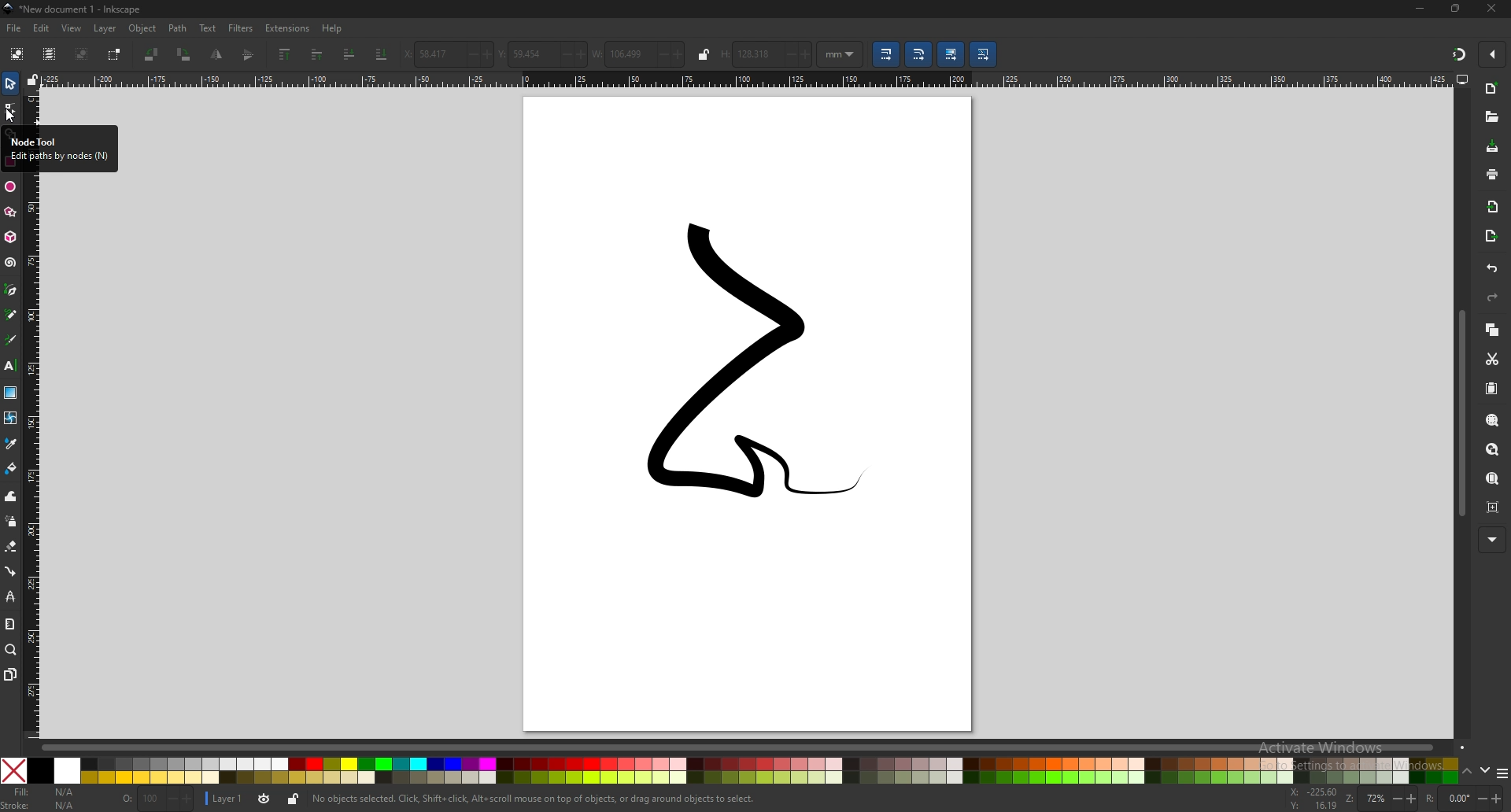 This screenshot has width=1511, height=812. I want to click on lower selection to bottom, so click(382, 54).